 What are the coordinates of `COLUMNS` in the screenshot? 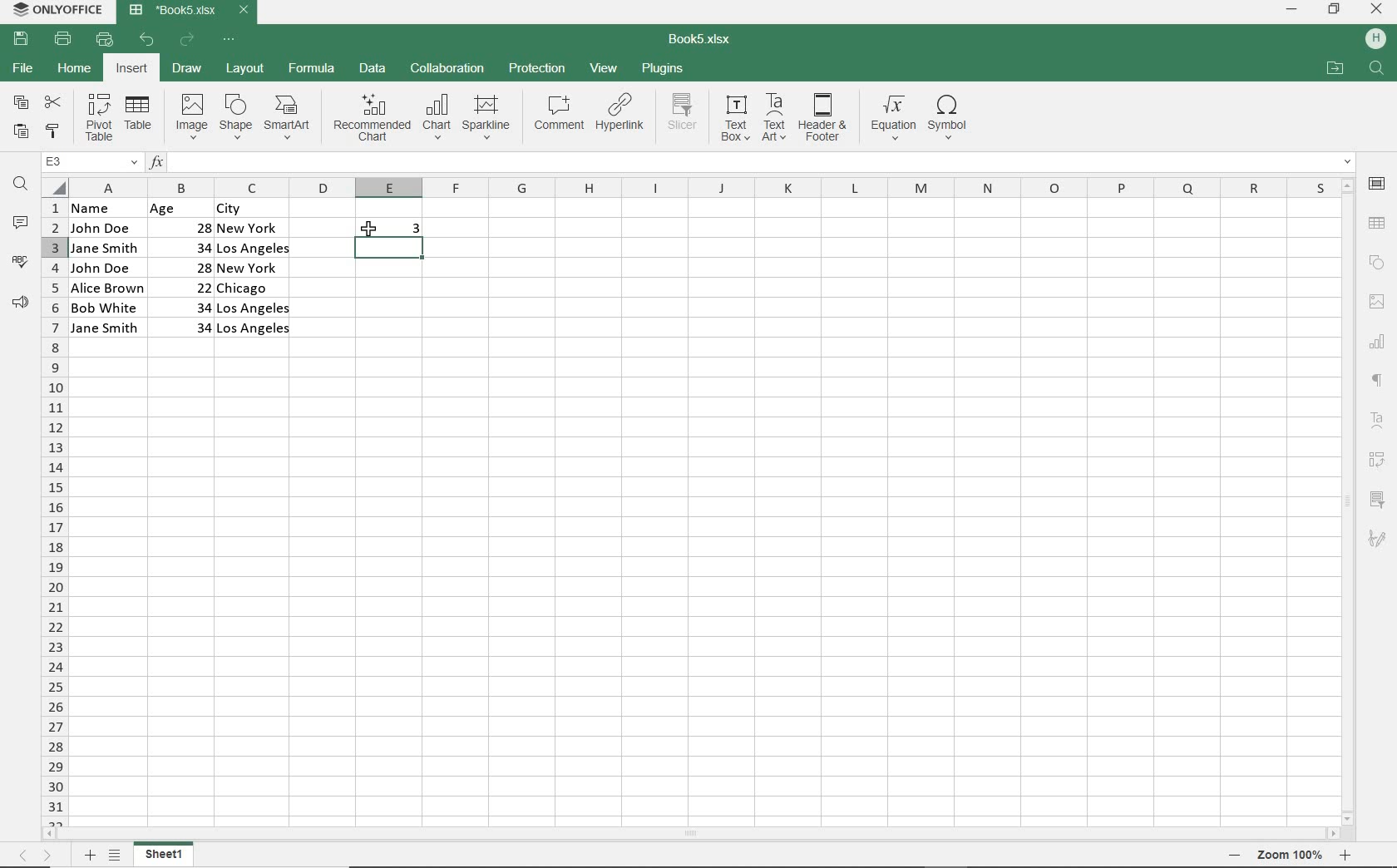 It's located at (700, 185).